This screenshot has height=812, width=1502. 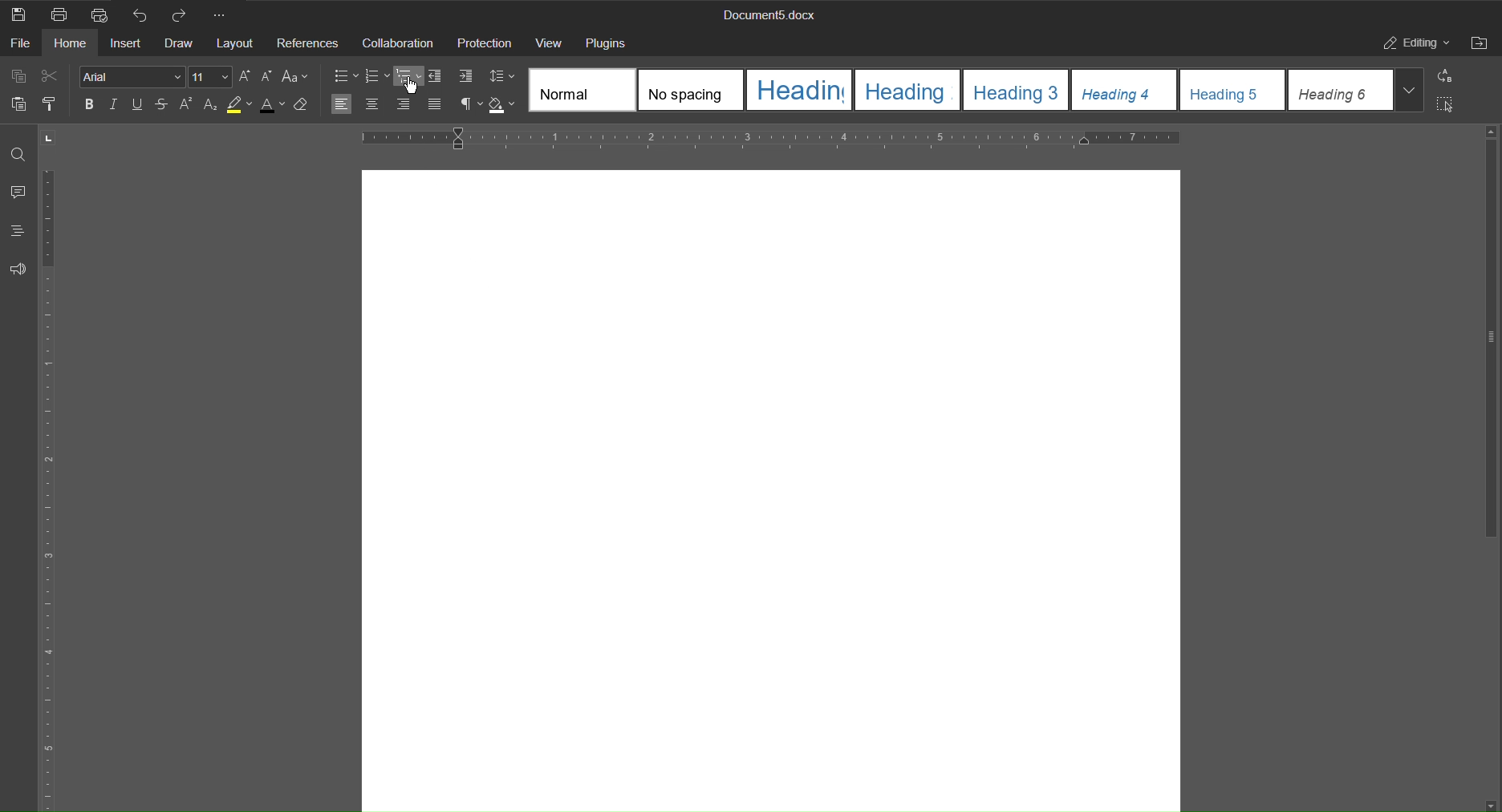 What do you see at coordinates (400, 44) in the screenshot?
I see `Collaboration` at bounding box center [400, 44].